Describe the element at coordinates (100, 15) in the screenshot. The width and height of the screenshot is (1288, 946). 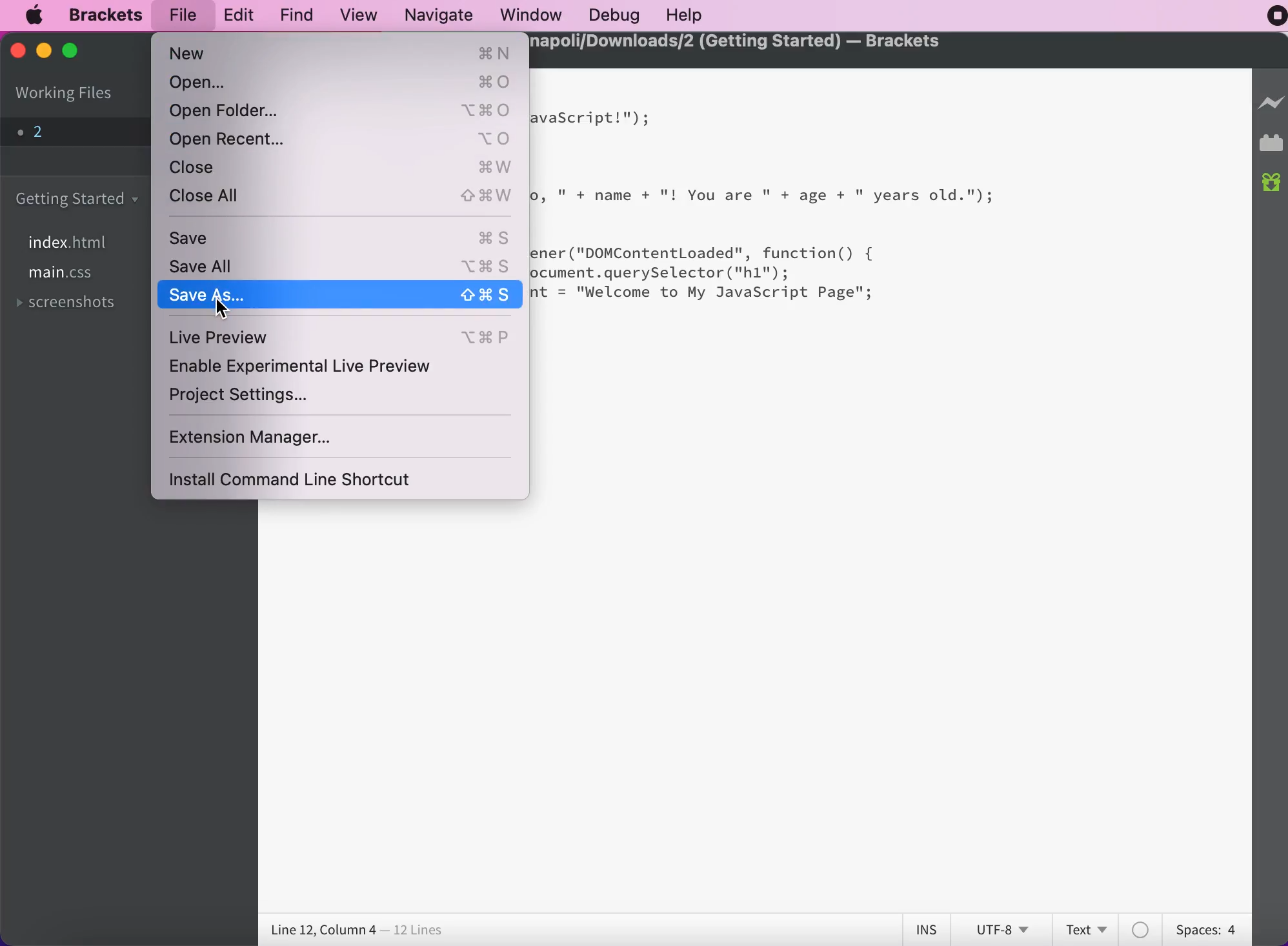
I see `brackets` at that location.